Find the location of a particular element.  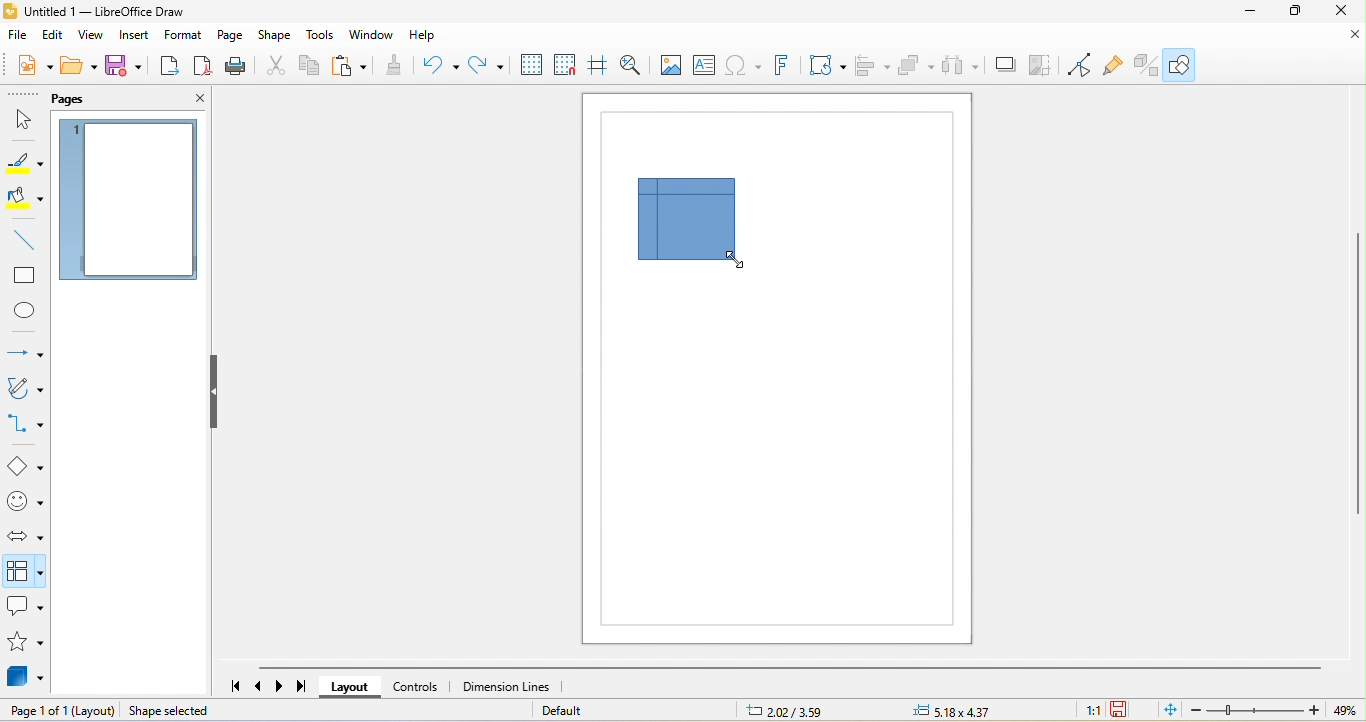

crop image is located at coordinates (1046, 66).